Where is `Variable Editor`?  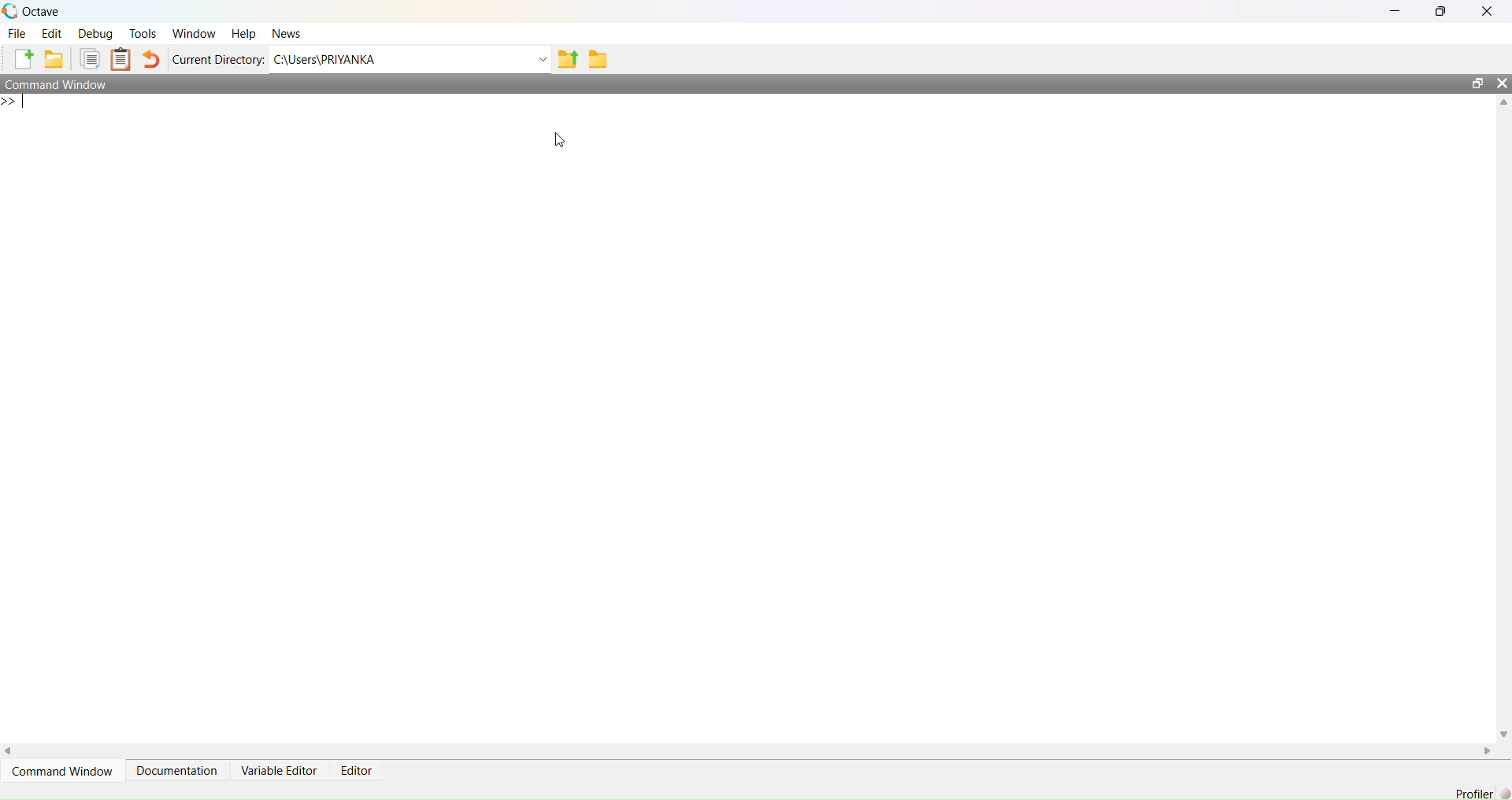 Variable Editor is located at coordinates (278, 771).